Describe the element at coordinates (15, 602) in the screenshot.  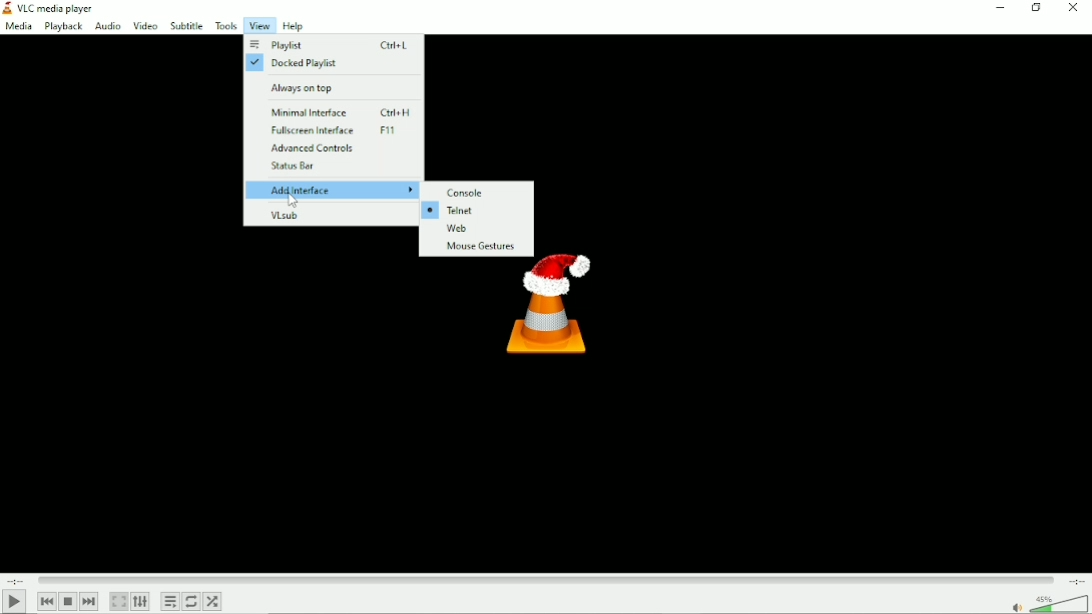
I see `Play` at that location.